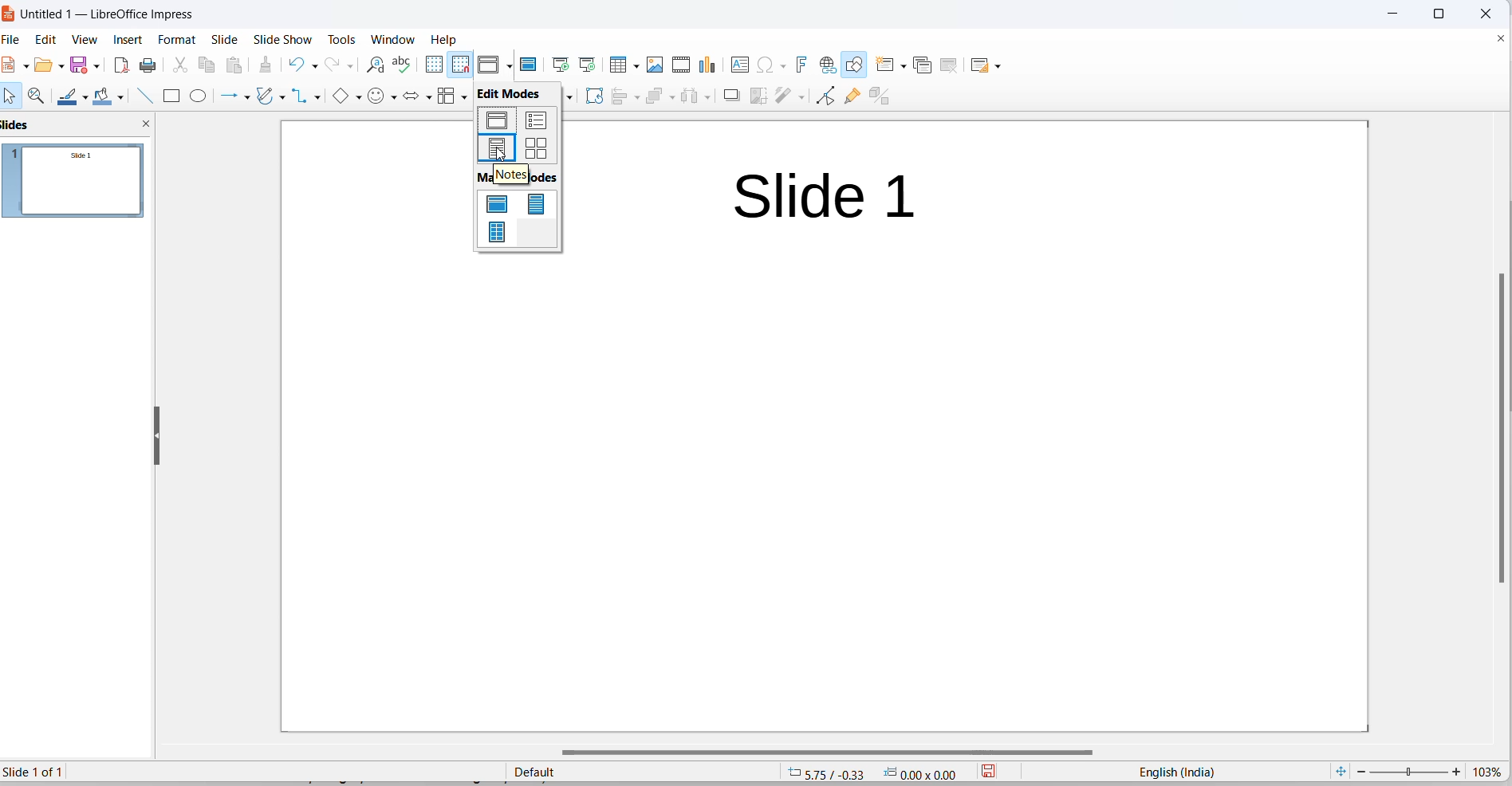 The image size is (1512, 786). I want to click on symbol shapes, so click(376, 97).